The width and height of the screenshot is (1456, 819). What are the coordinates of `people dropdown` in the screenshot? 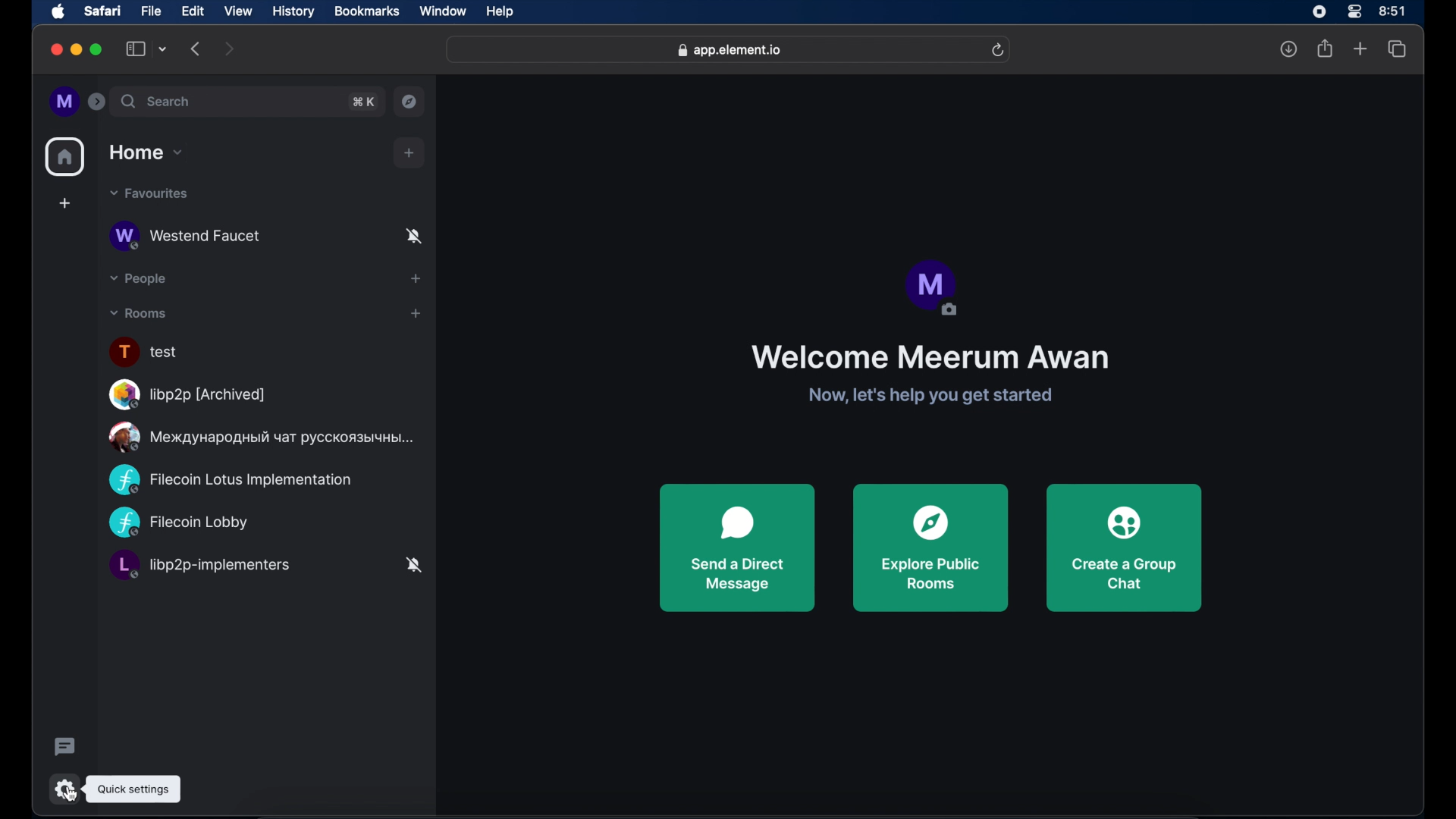 It's located at (136, 279).